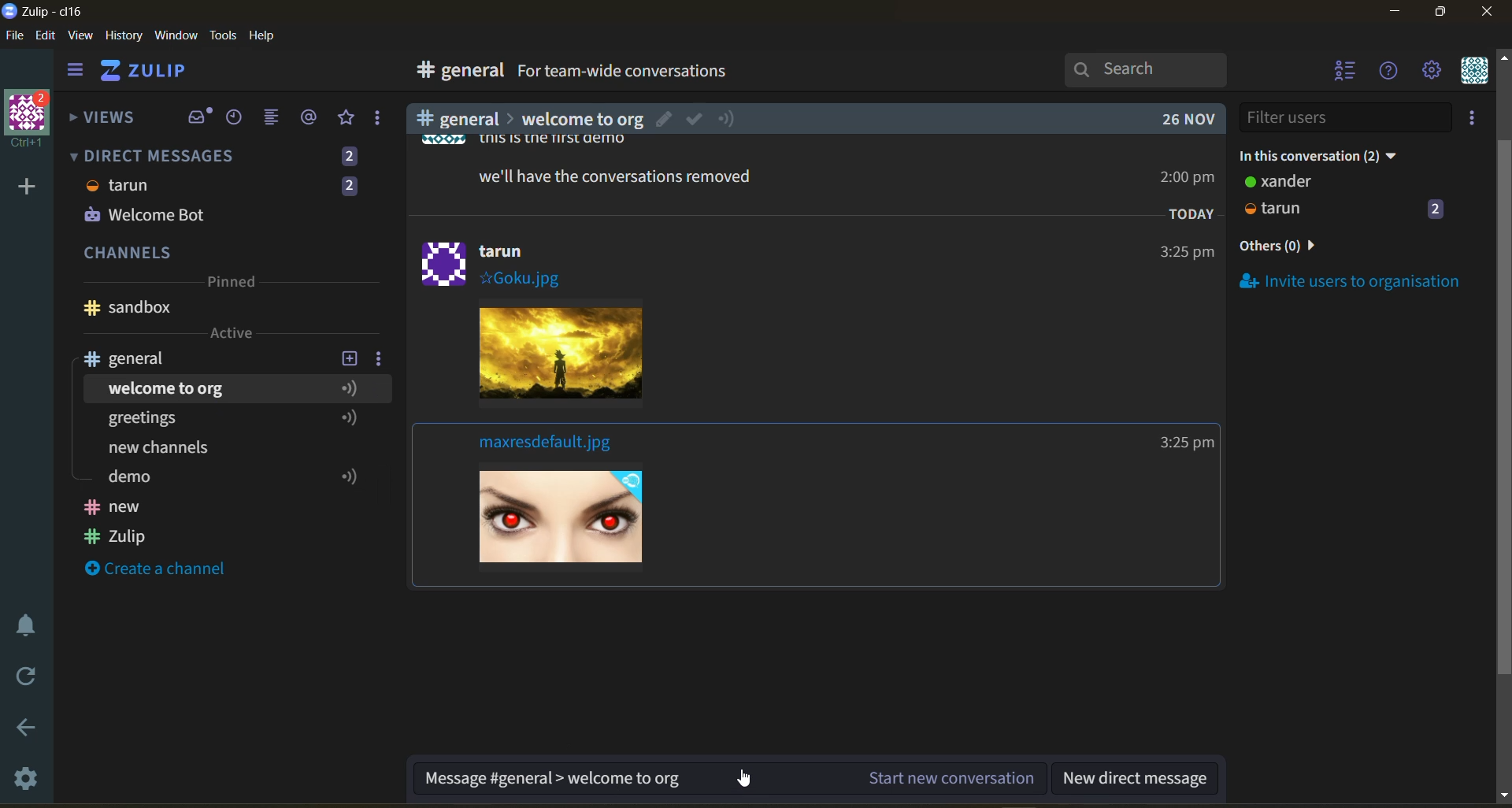 This screenshot has width=1512, height=808. Describe the element at coordinates (498, 261) in the screenshot. I see `` at that location.